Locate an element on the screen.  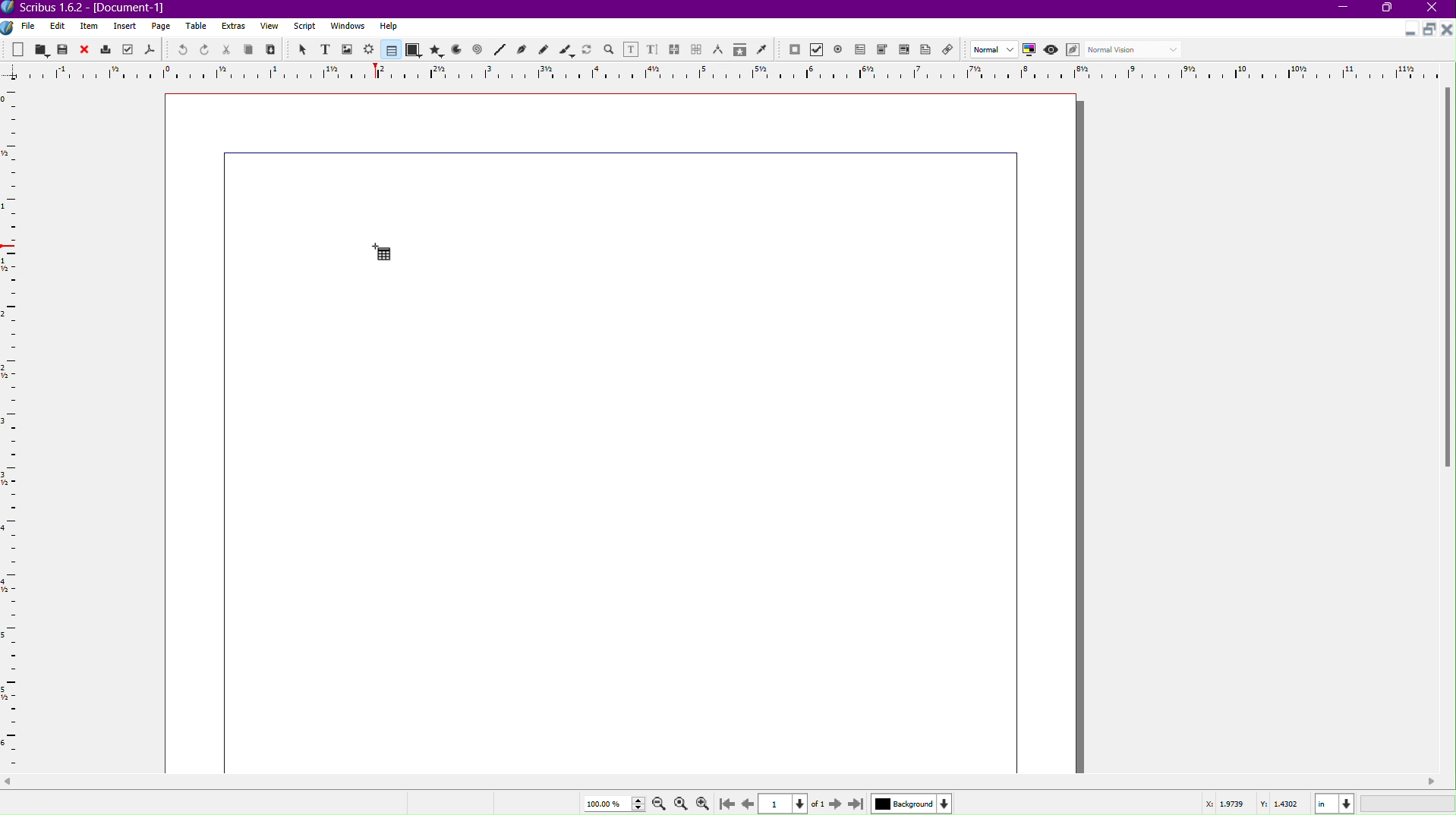
Zoom Out is located at coordinates (656, 804).